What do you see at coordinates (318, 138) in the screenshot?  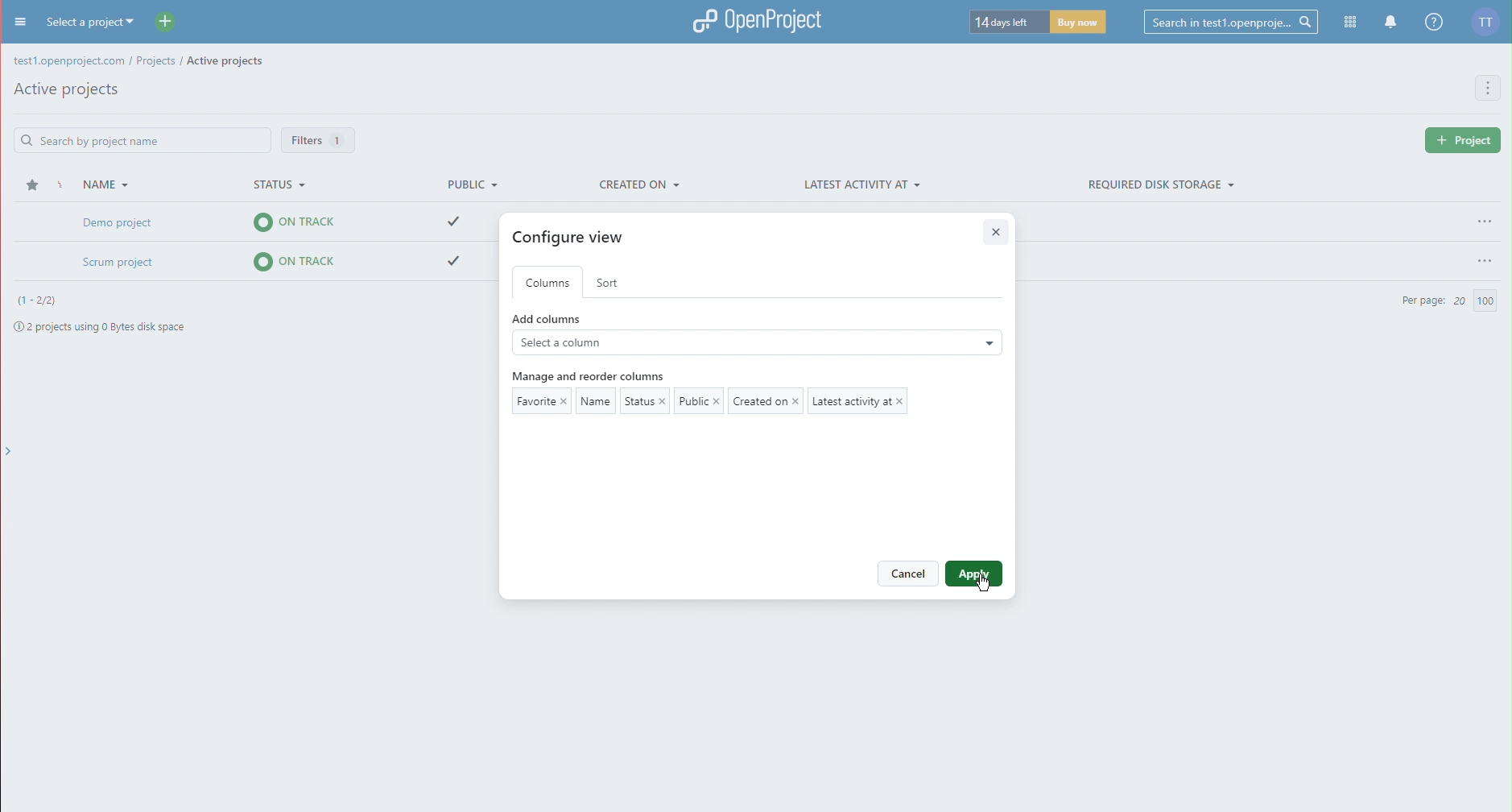 I see `Filters` at bounding box center [318, 138].